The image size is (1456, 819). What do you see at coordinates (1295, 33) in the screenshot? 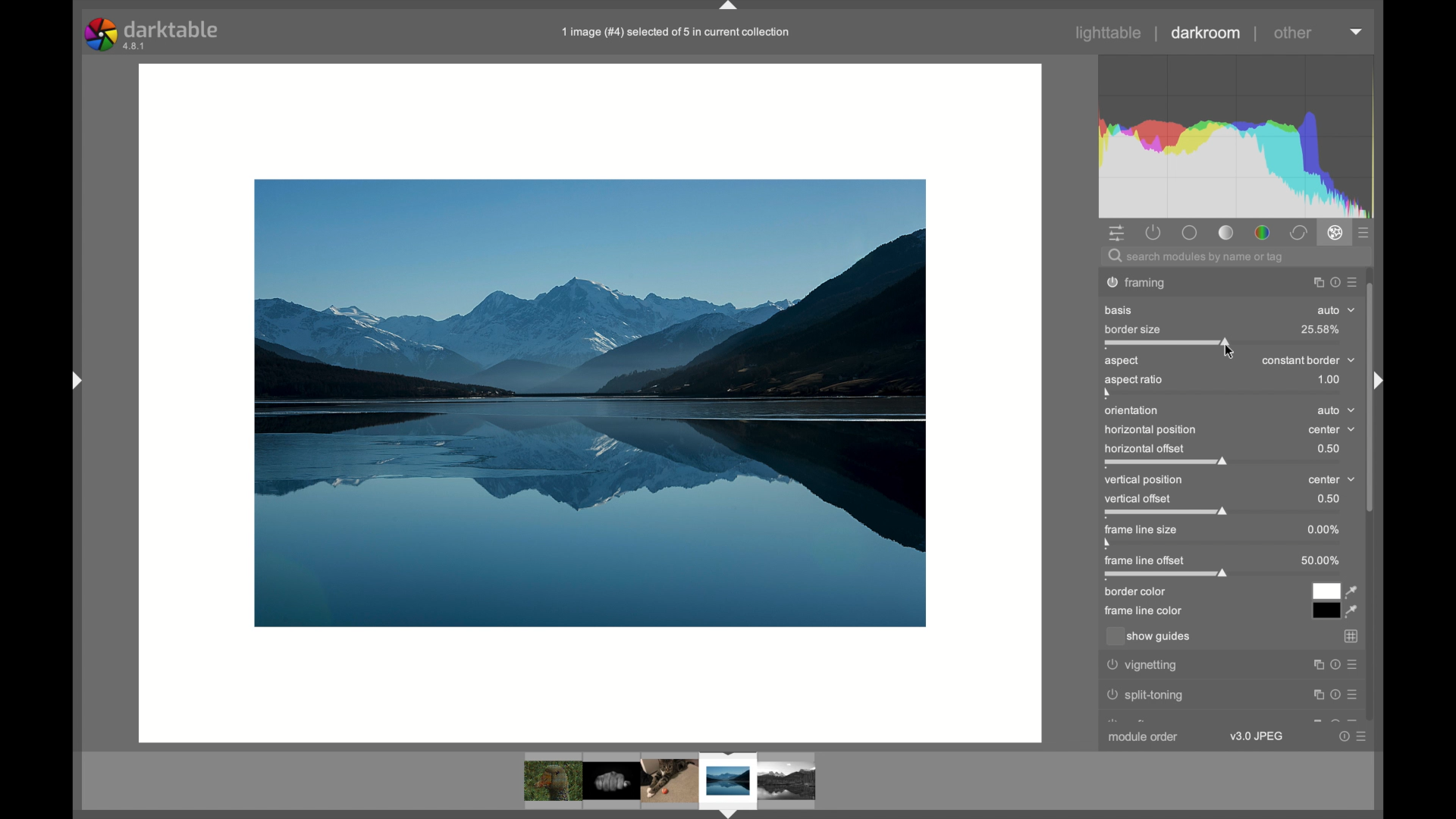
I see `other` at bounding box center [1295, 33].